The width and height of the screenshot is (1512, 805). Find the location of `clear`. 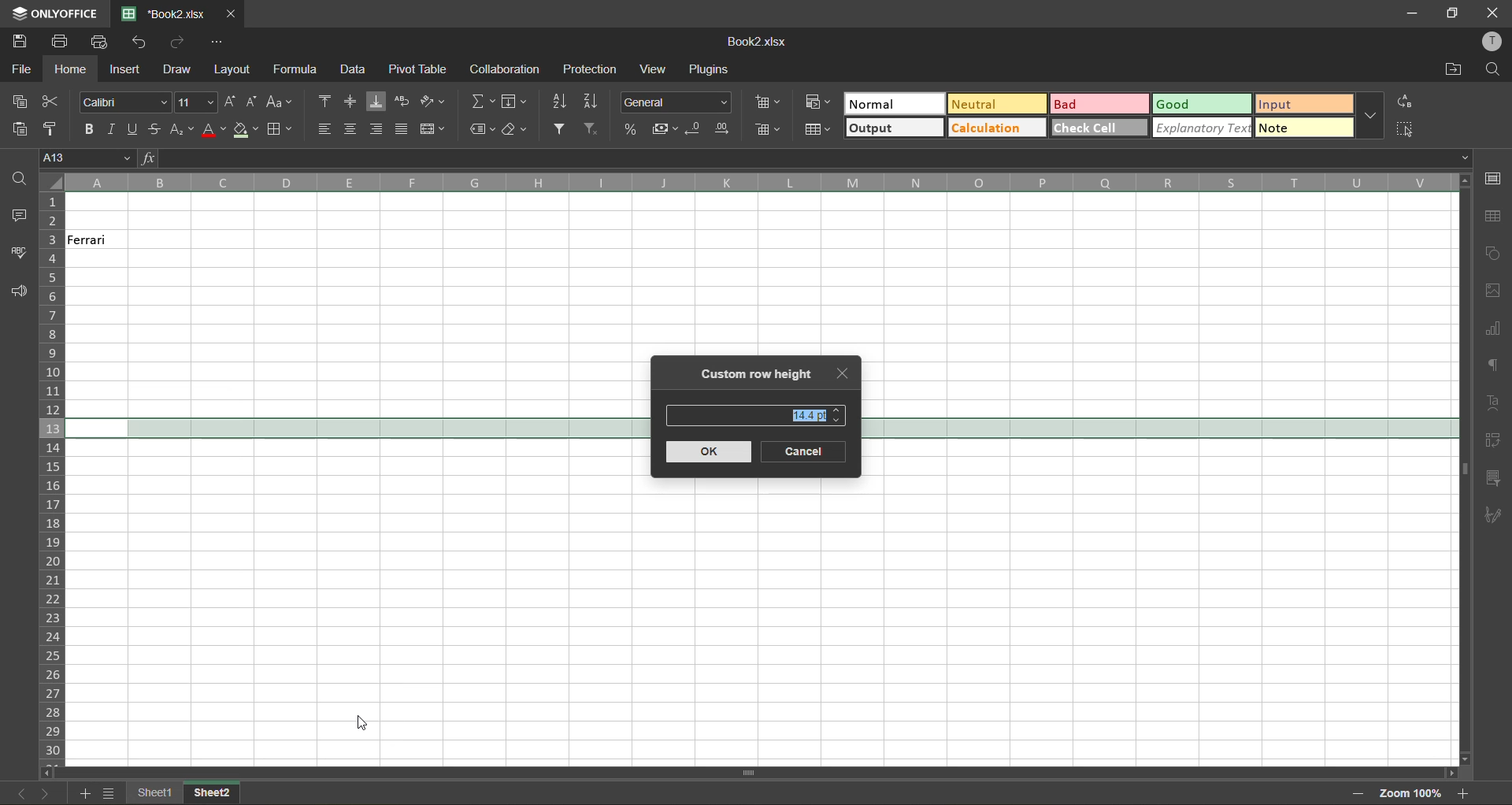

clear is located at coordinates (520, 131).